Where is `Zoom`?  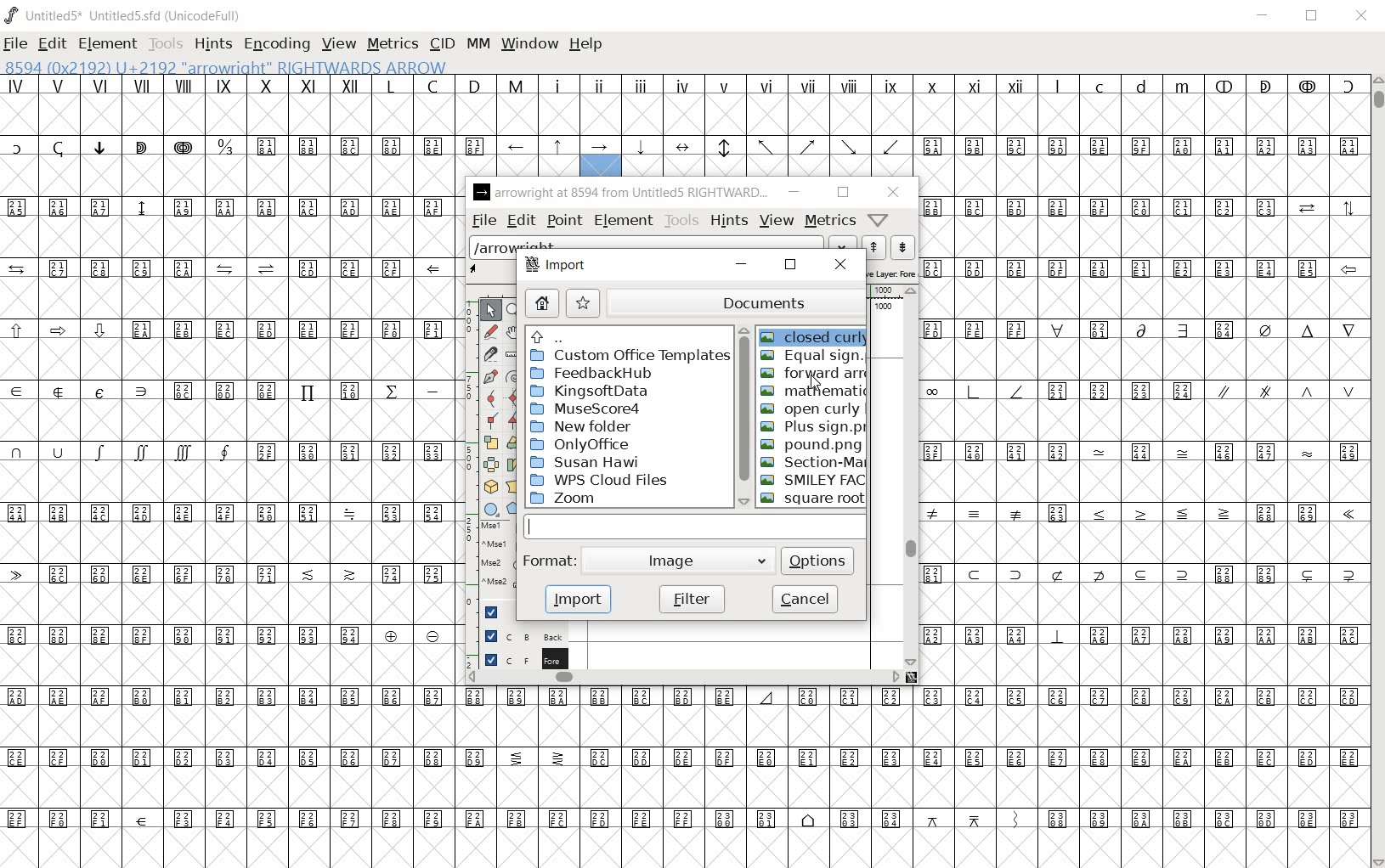
Zoom is located at coordinates (595, 499).